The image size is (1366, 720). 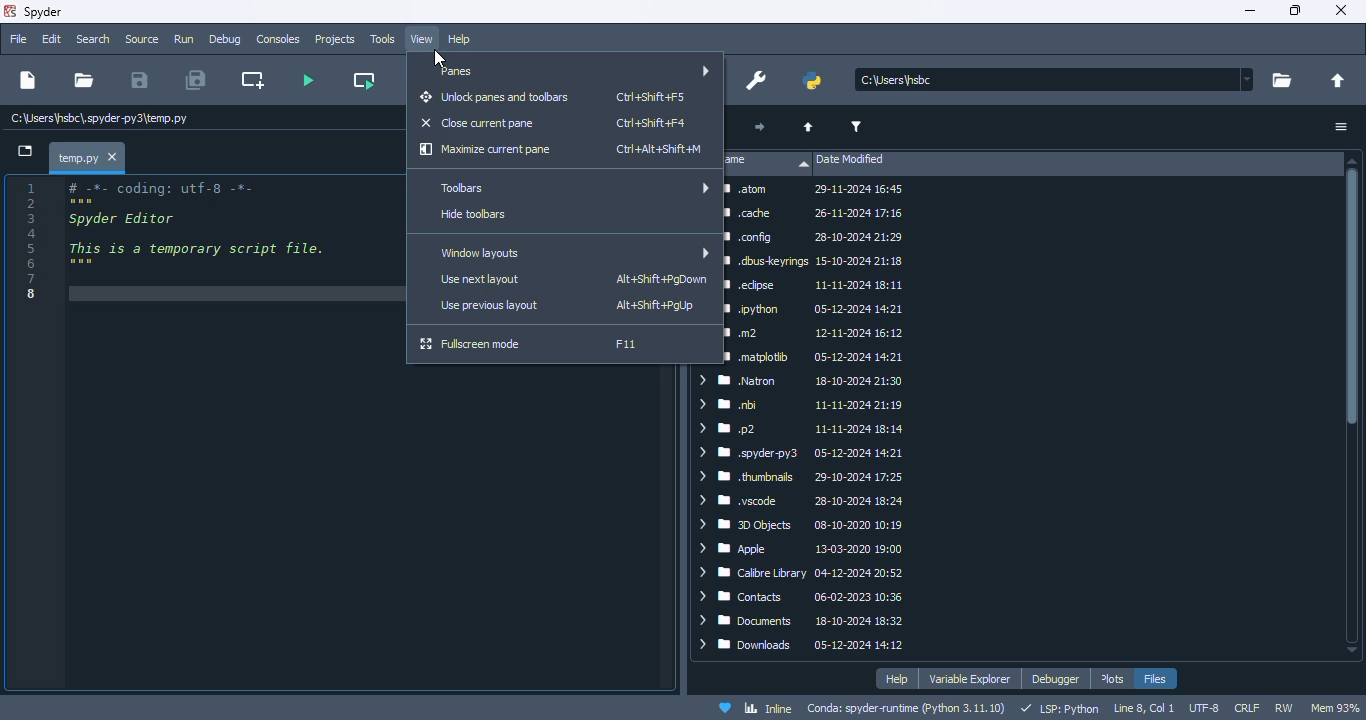 I want to click on edit, so click(x=52, y=38).